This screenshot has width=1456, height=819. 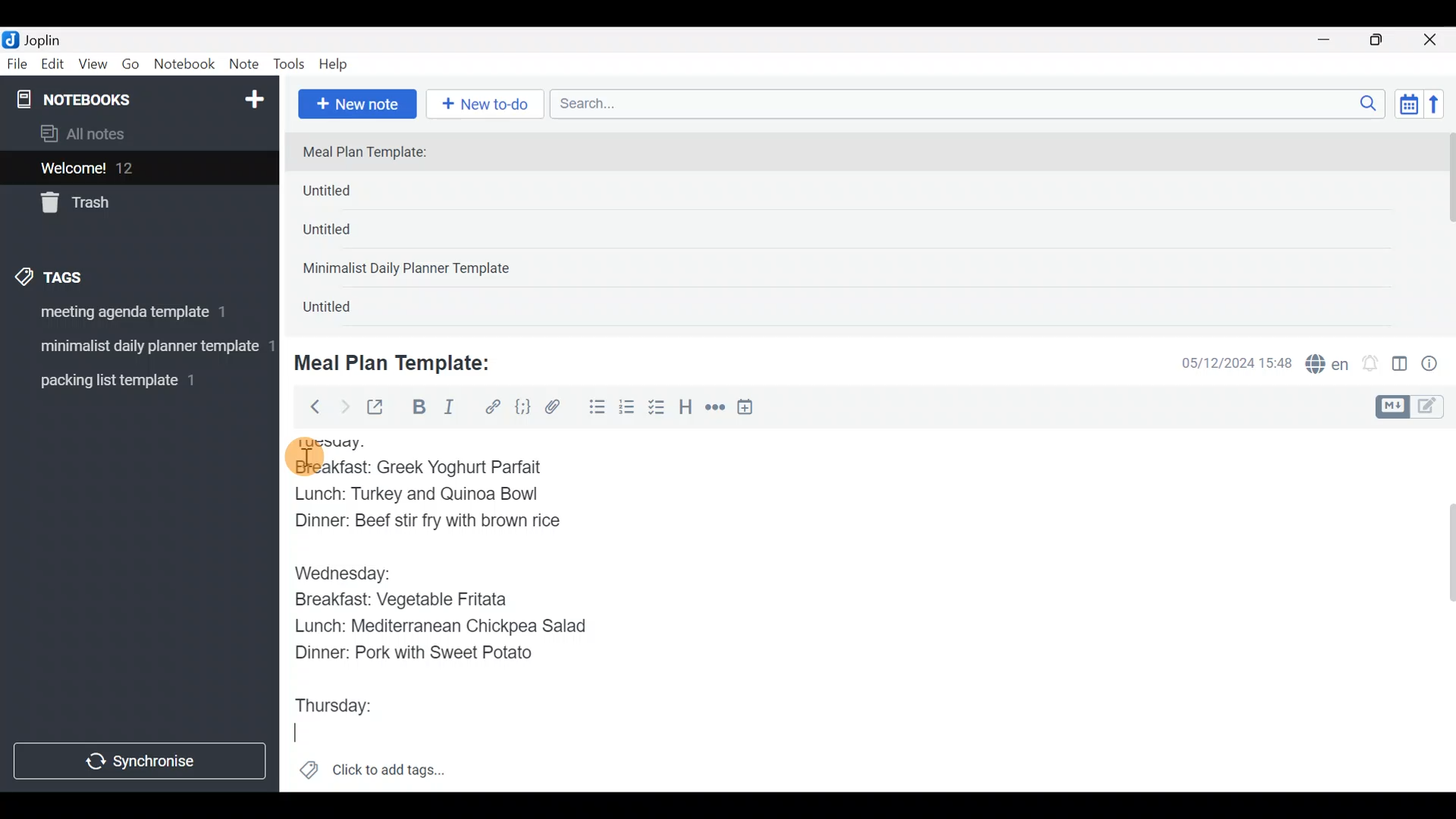 I want to click on Wednesday:, so click(x=347, y=575).